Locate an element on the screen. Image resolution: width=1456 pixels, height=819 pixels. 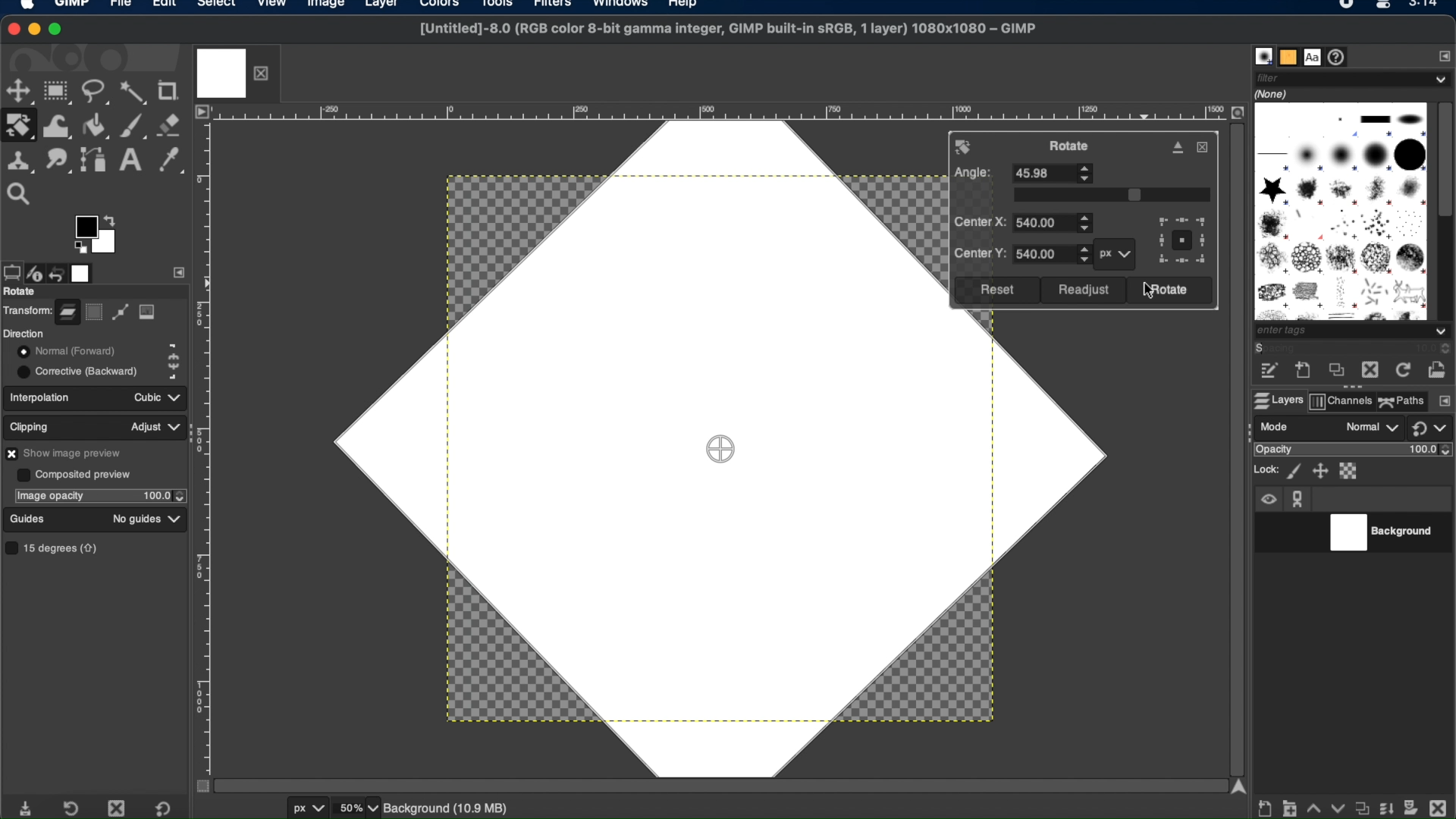
filters is located at coordinates (557, 8).